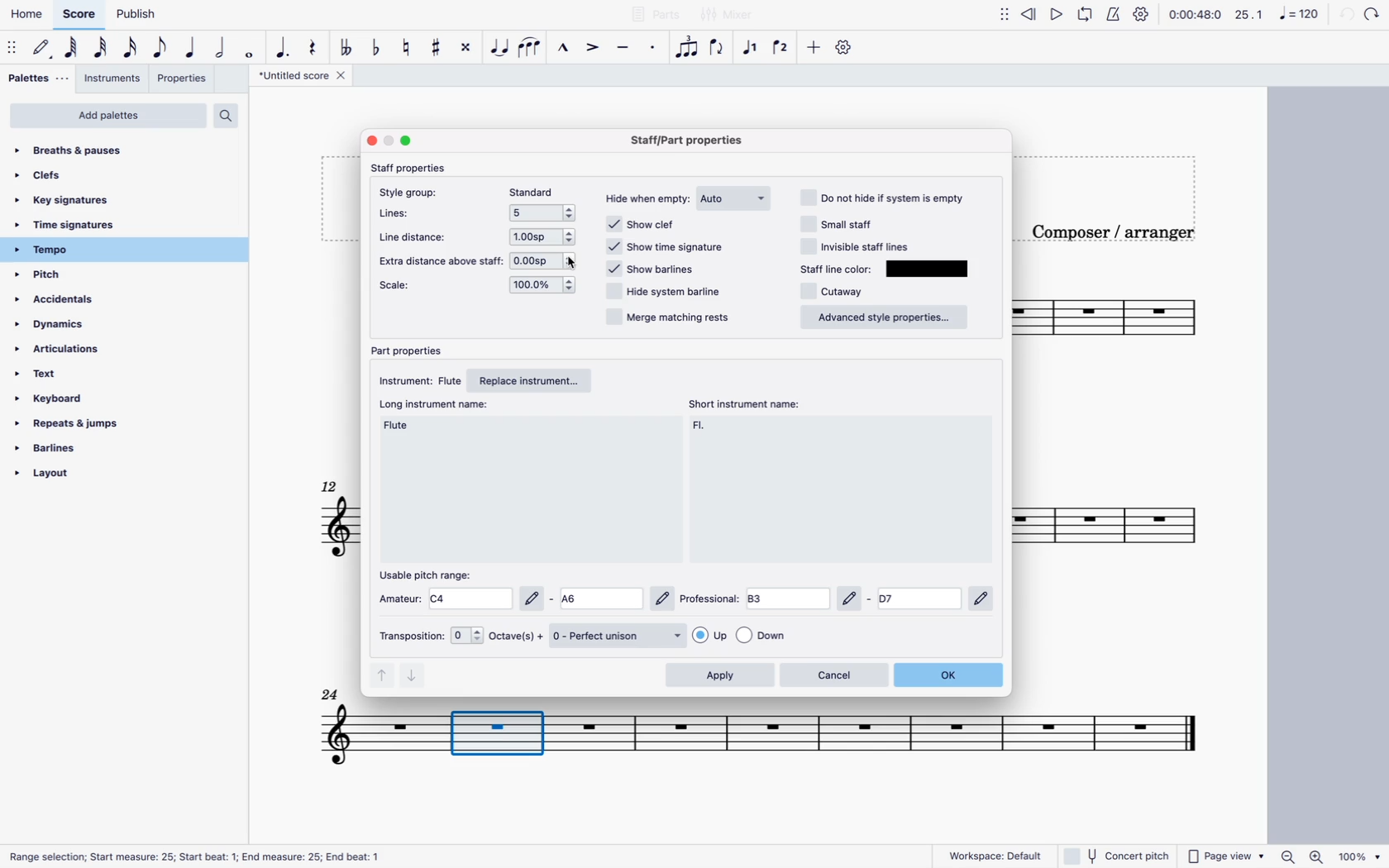 The width and height of the screenshot is (1389, 868). Describe the element at coordinates (184, 78) in the screenshot. I see `properties` at that location.